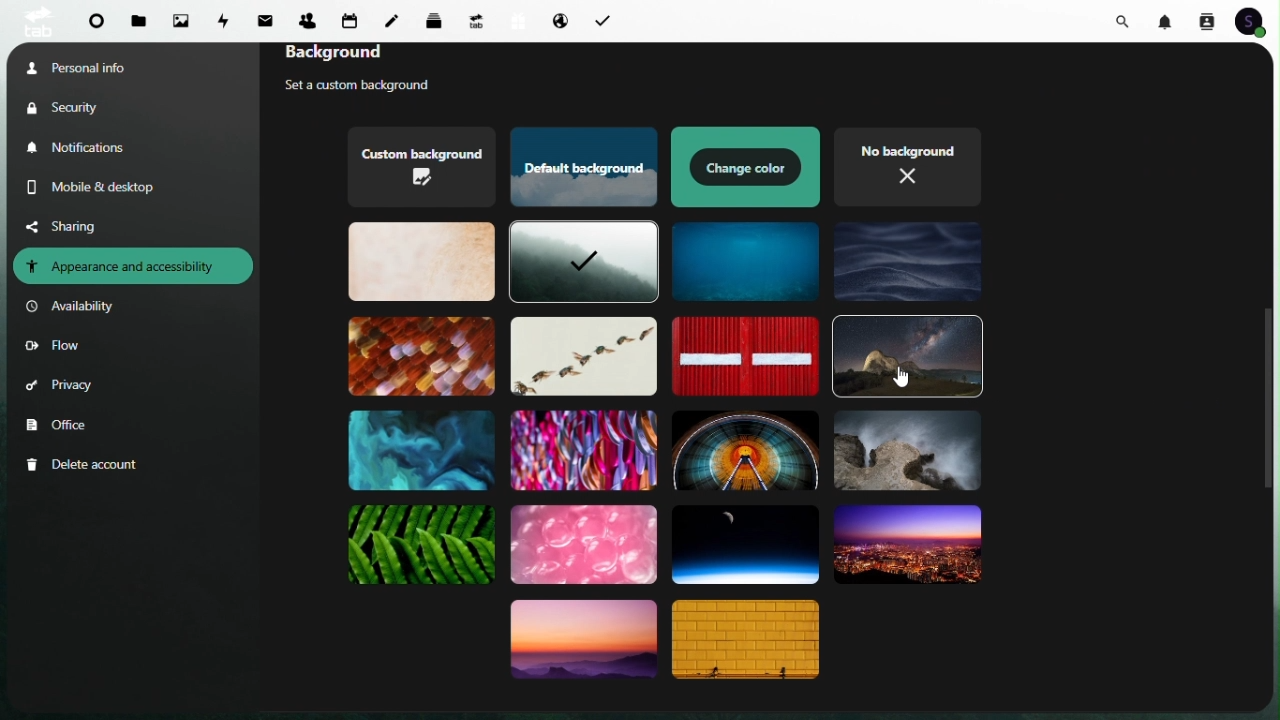 This screenshot has height=720, width=1280. Describe the element at coordinates (397, 16) in the screenshot. I see `Notes` at that location.